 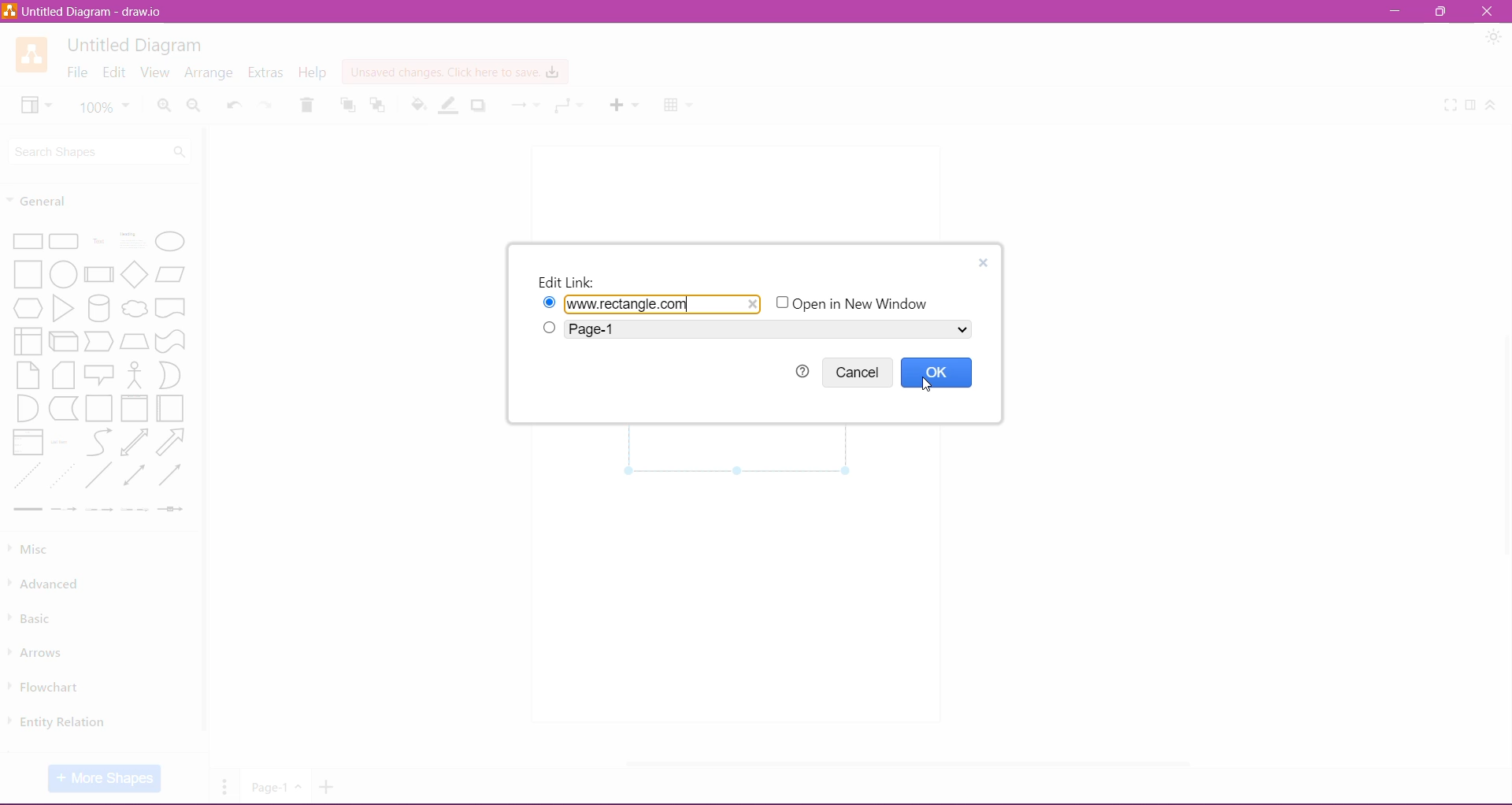 What do you see at coordinates (650, 303) in the screenshot?
I see `Click to enable and Type the required Hyperlink for the shape` at bounding box center [650, 303].